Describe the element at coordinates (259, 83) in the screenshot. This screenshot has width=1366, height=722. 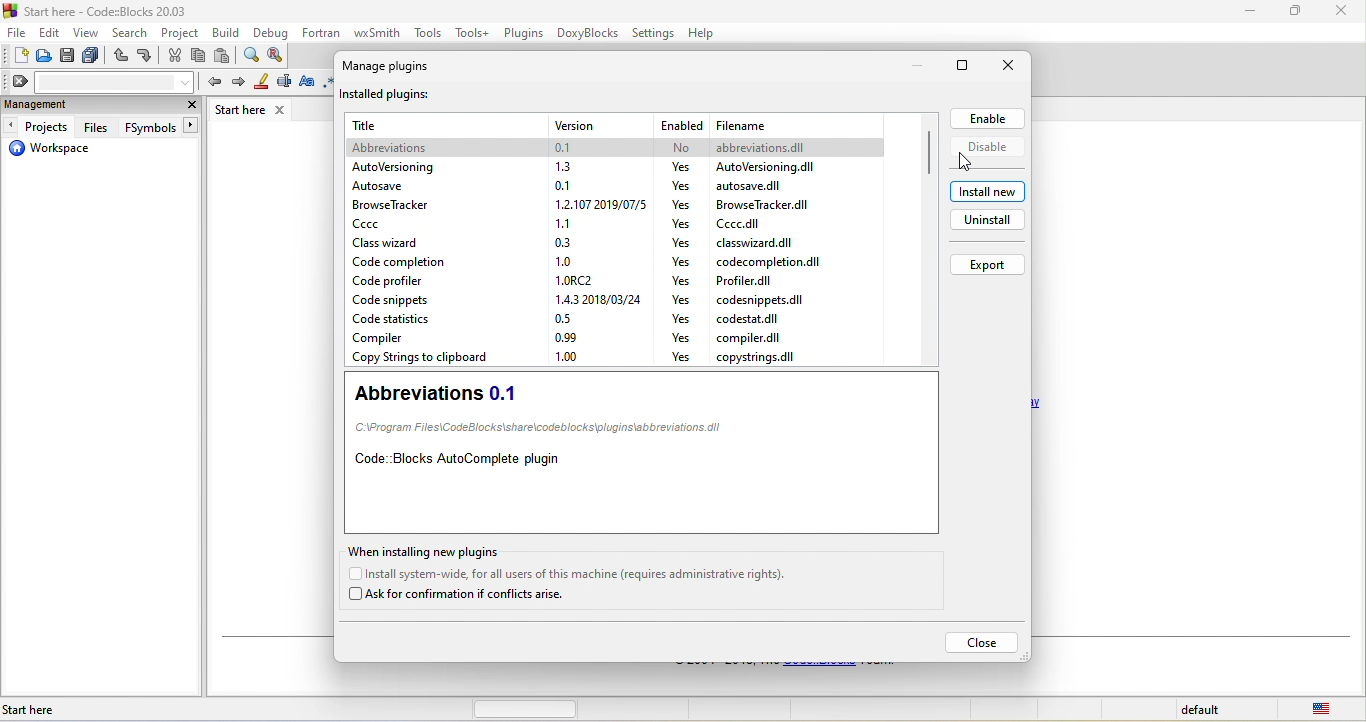
I see `highlight` at that location.